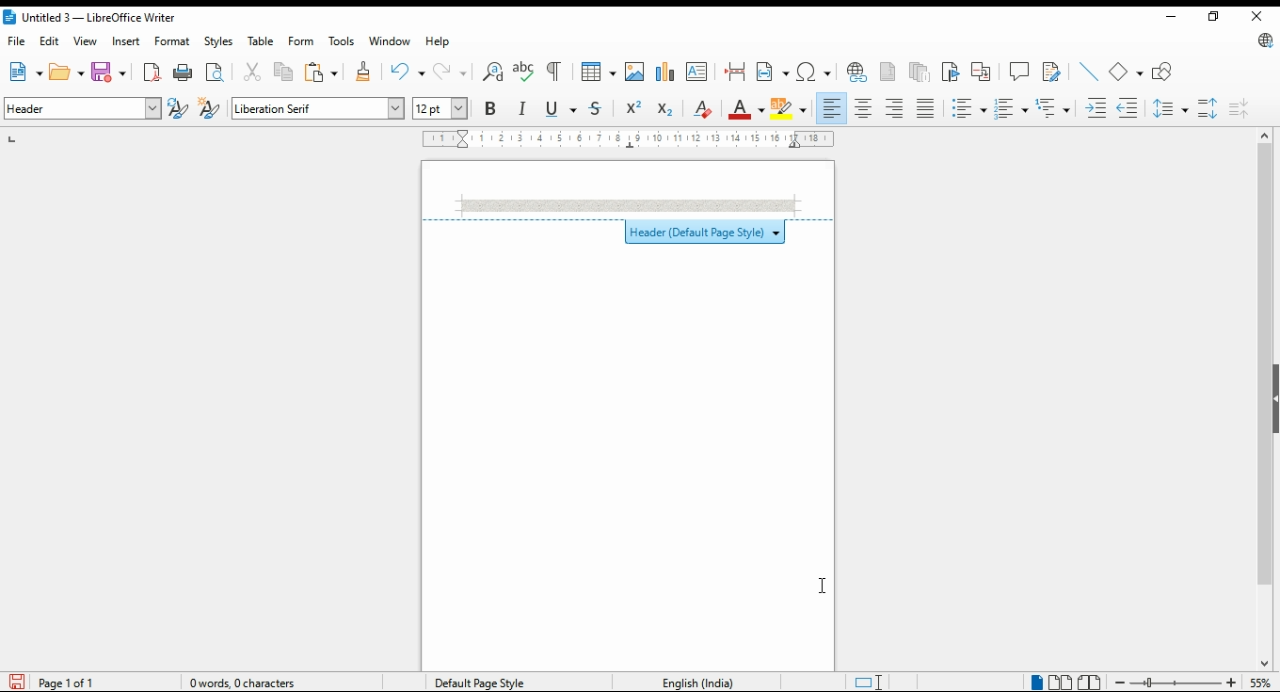 This screenshot has height=692, width=1280. I want to click on libre office update, so click(1262, 42).